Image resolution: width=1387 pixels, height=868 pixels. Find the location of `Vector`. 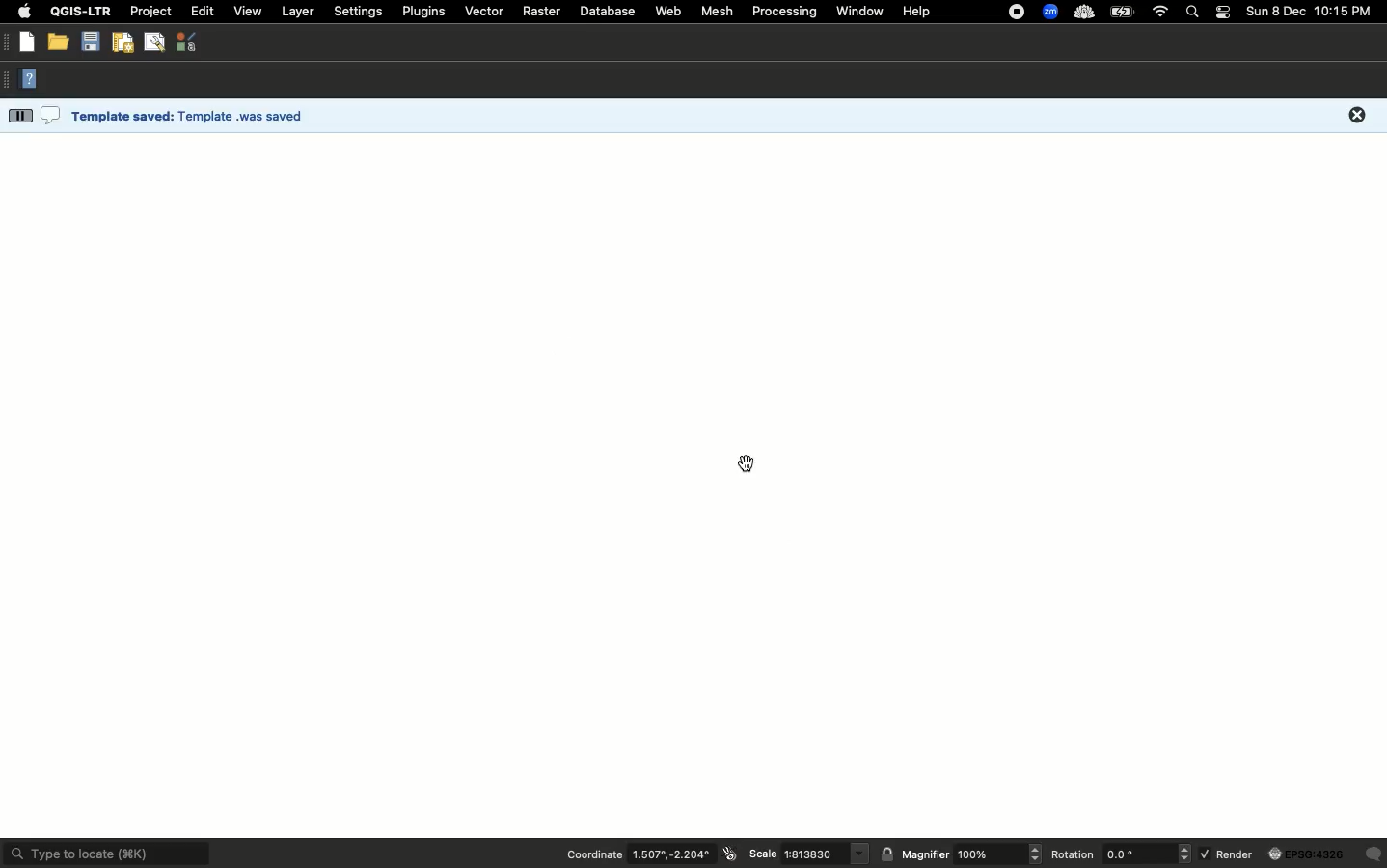

Vector is located at coordinates (482, 13).